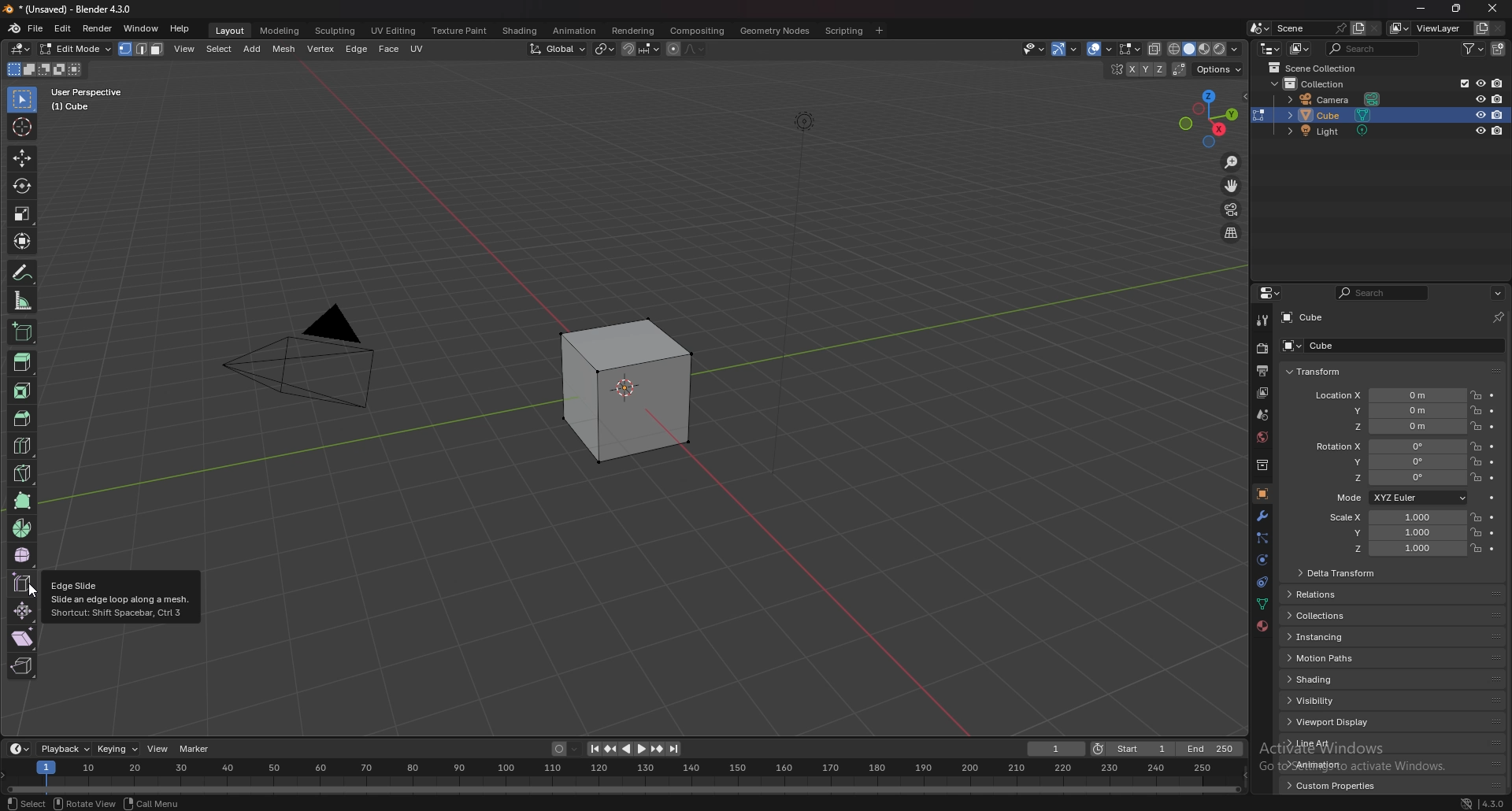  I want to click on scripting, so click(842, 31).